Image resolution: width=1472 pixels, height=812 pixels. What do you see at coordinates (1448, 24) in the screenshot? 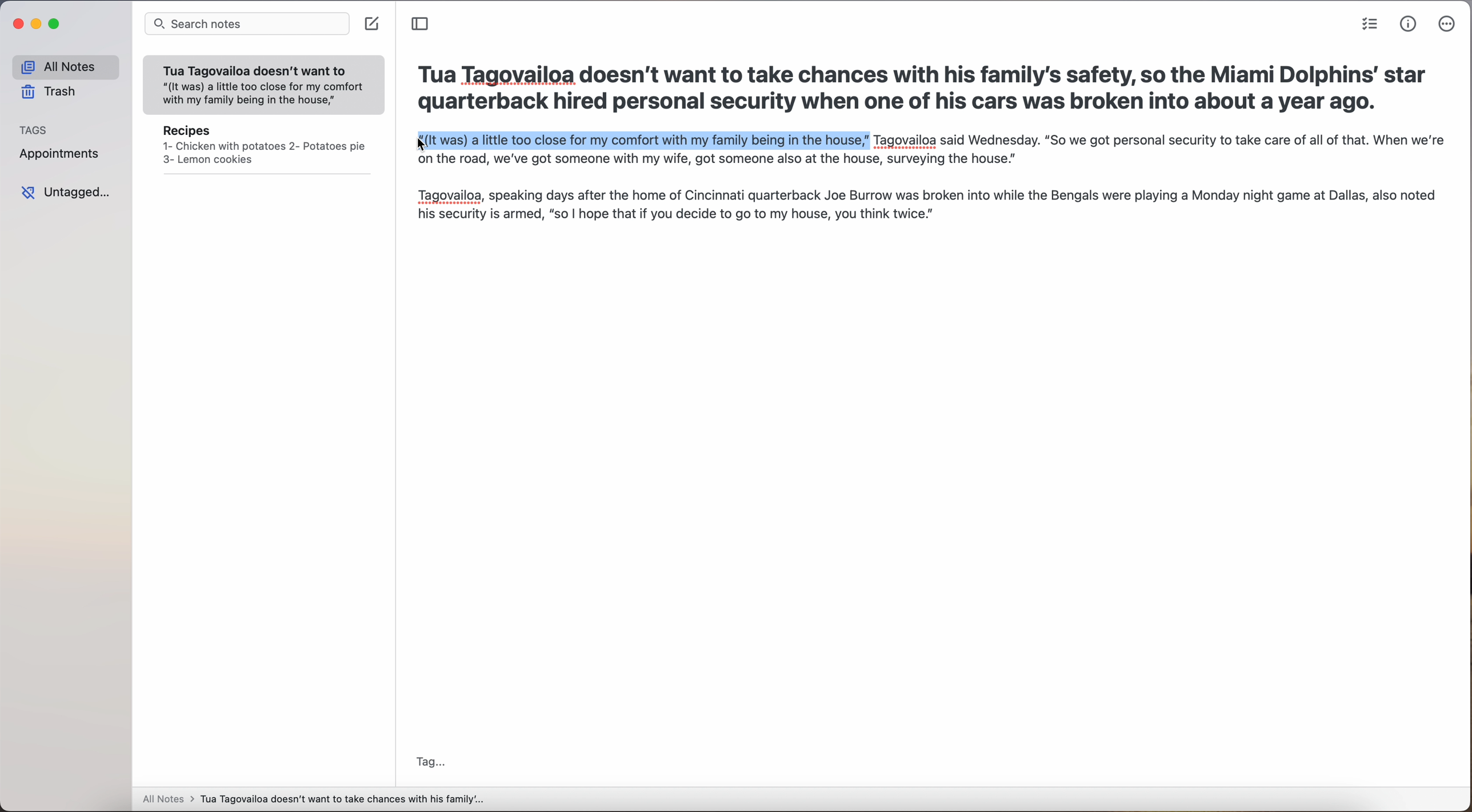
I see `more options` at bounding box center [1448, 24].